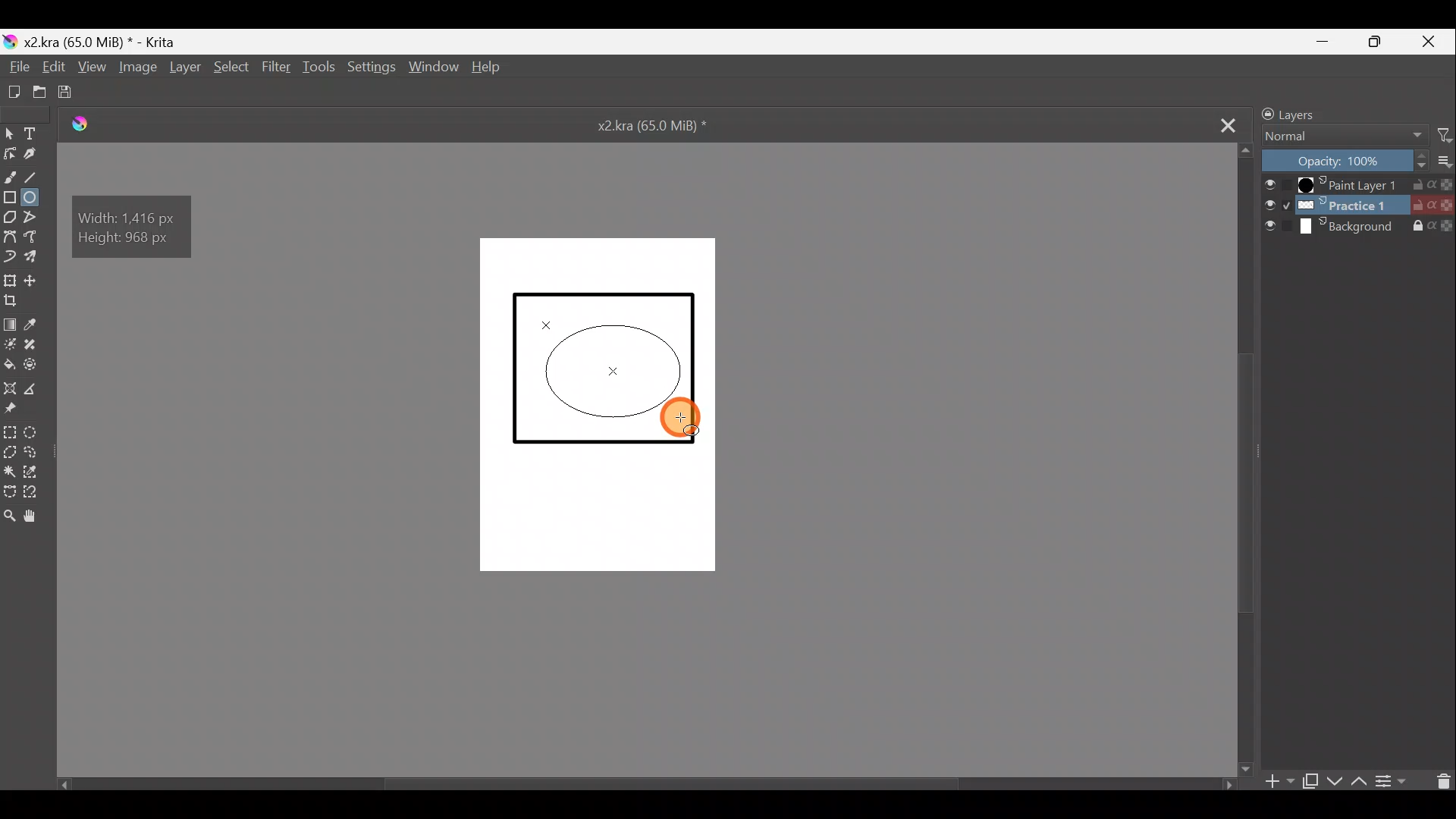 This screenshot has width=1456, height=819. I want to click on Freehand path tool, so click(34, 238).